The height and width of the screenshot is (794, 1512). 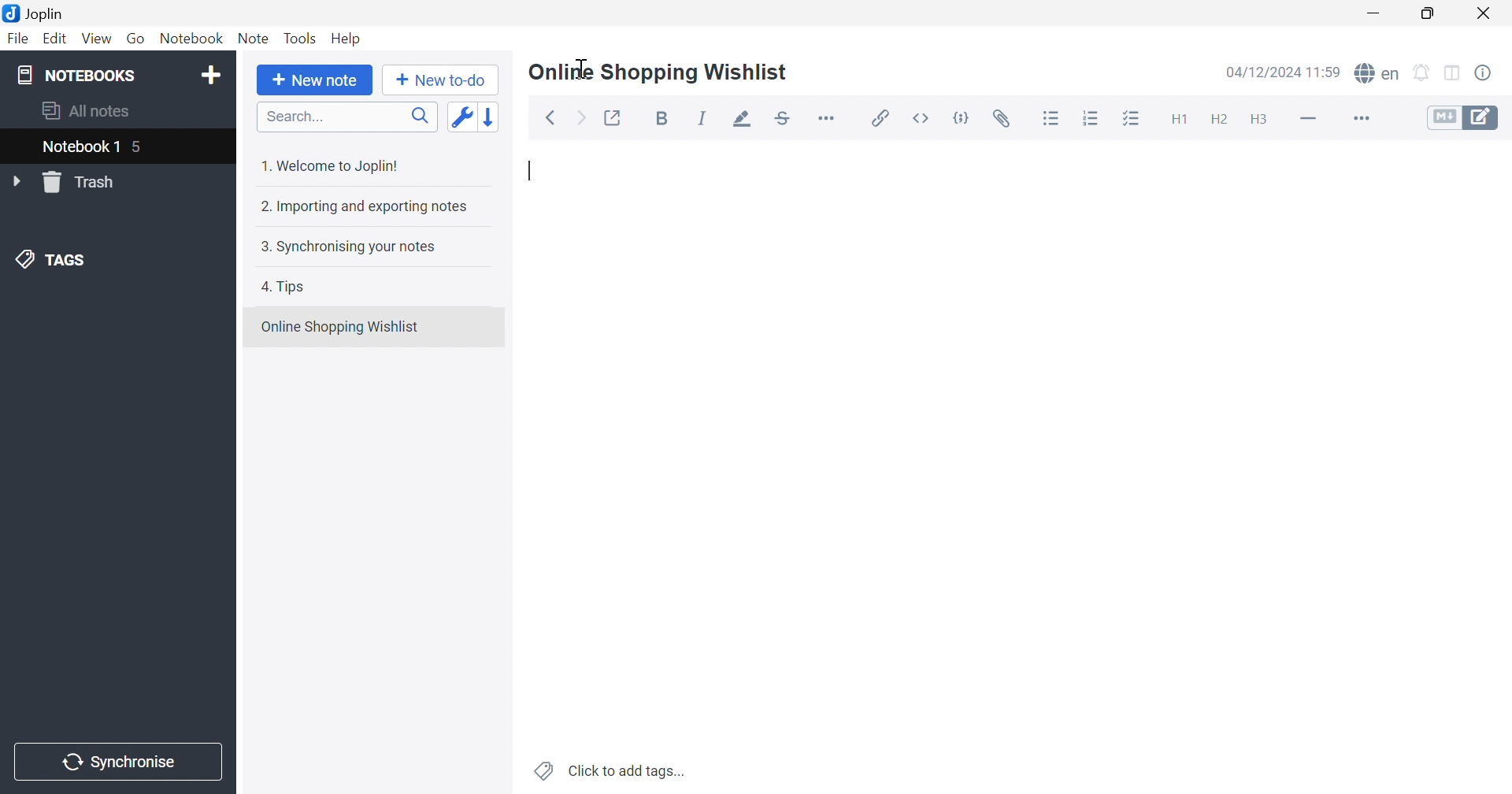 What do you see at coordinates (1429, 14) in the screenshot?
I see `Restore Down` at bounding box center [1429, 14].